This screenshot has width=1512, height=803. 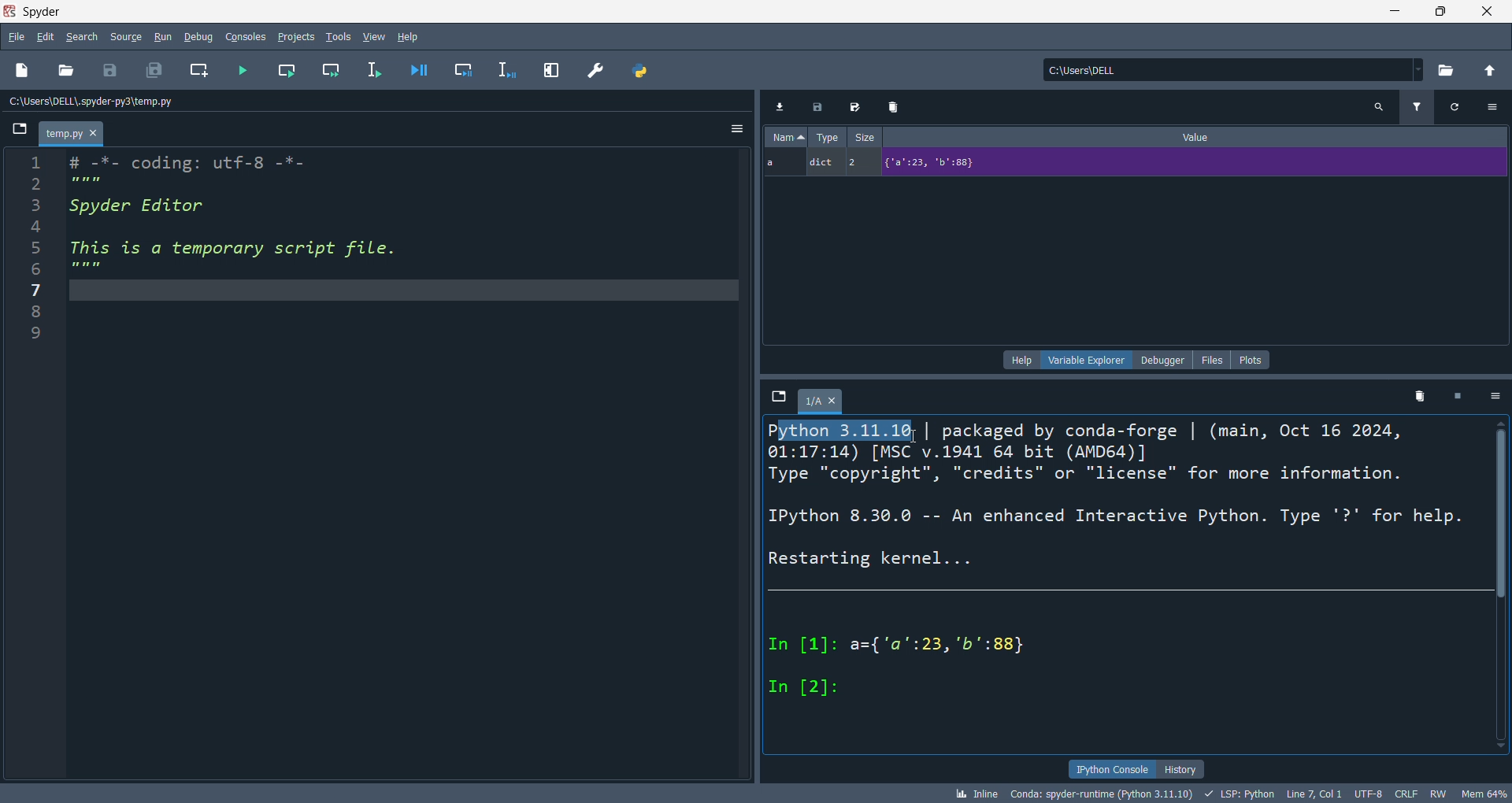 What do you see at coordinates (1238, 794) in the screenshot?
I see `LSP: Python` at bounding box center [1238, 794].